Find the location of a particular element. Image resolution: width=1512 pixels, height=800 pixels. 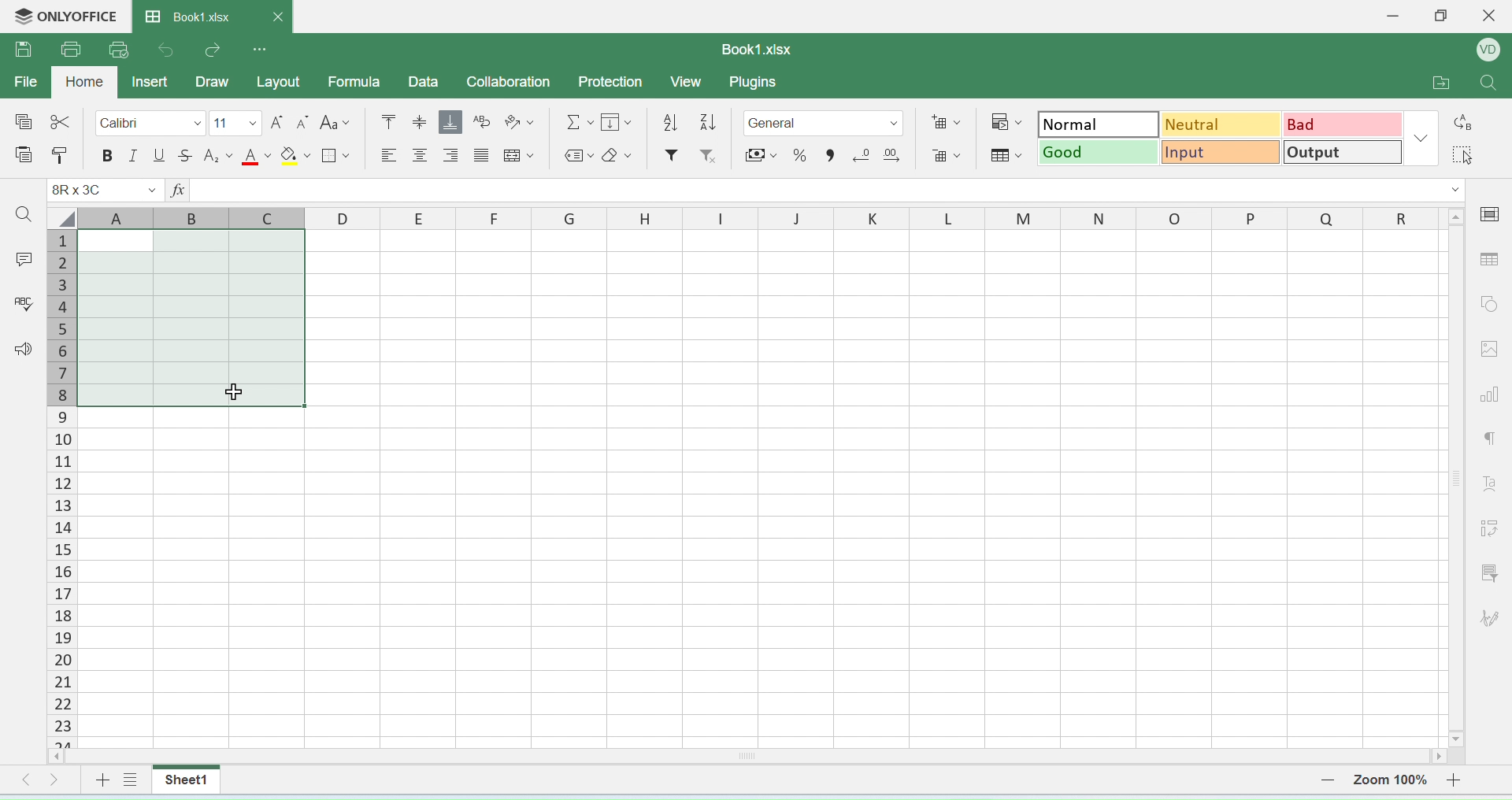

view sheet is located at coordinates (132, 782).